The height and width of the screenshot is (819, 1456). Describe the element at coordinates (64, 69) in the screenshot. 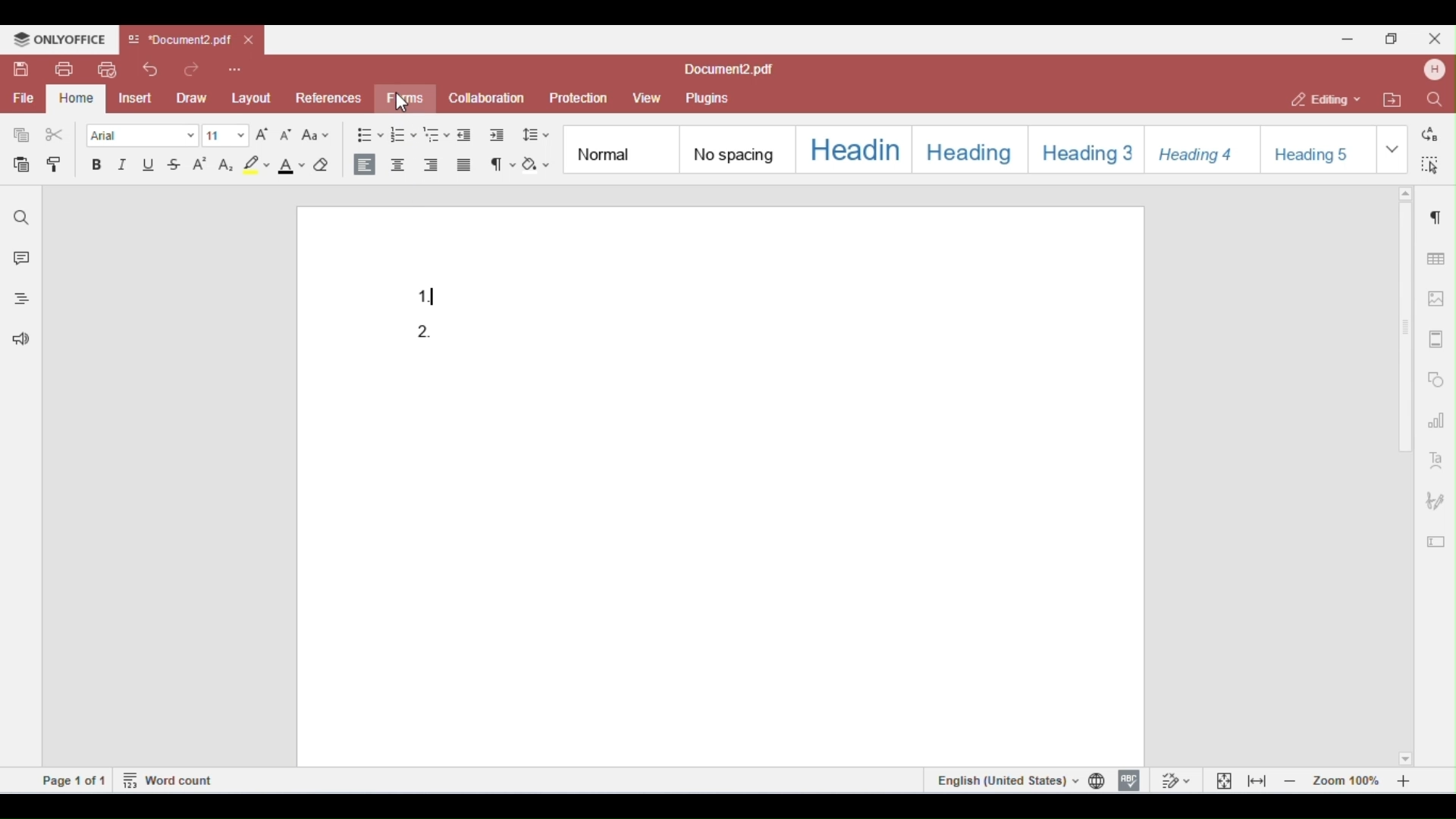

I see `print` at that location.